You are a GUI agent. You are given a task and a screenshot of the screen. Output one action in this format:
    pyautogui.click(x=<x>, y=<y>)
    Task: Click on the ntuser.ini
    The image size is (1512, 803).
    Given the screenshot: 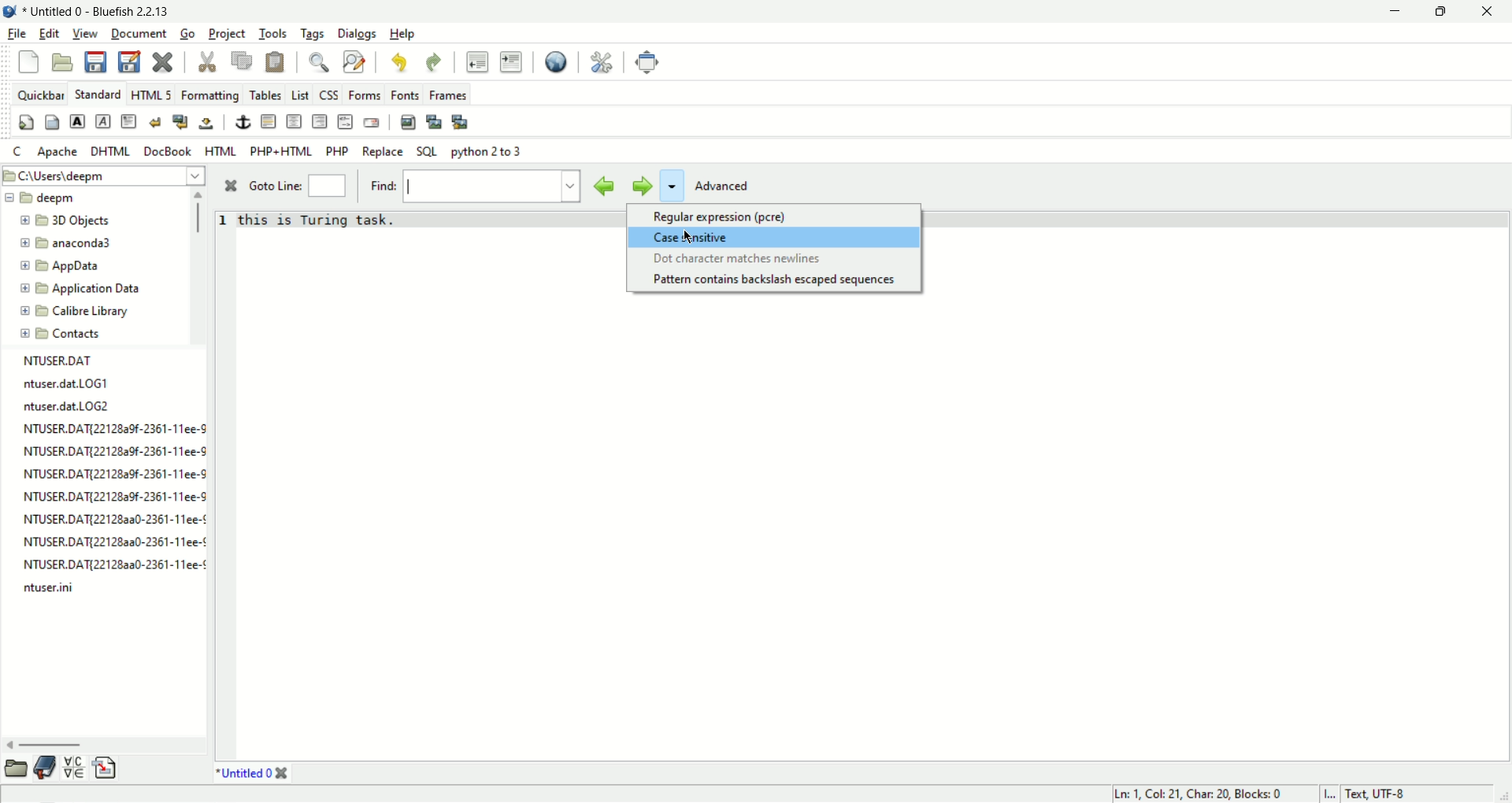 What is the action you would take?
    pyautogui.click(x=52, y=590)
    